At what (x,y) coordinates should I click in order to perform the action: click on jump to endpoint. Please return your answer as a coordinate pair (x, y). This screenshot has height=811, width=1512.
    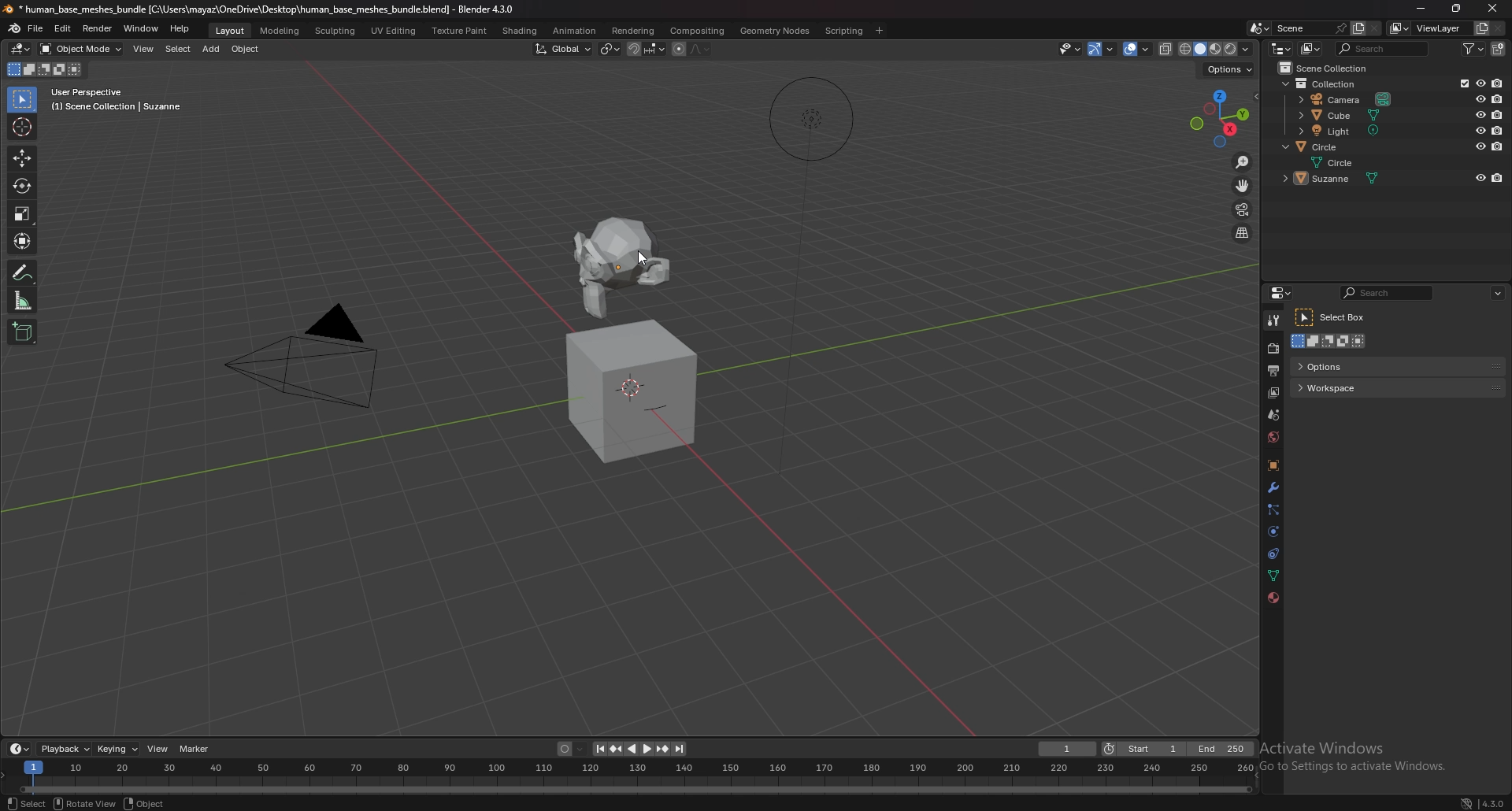
    Looking at the image, I should click on (598, 747).